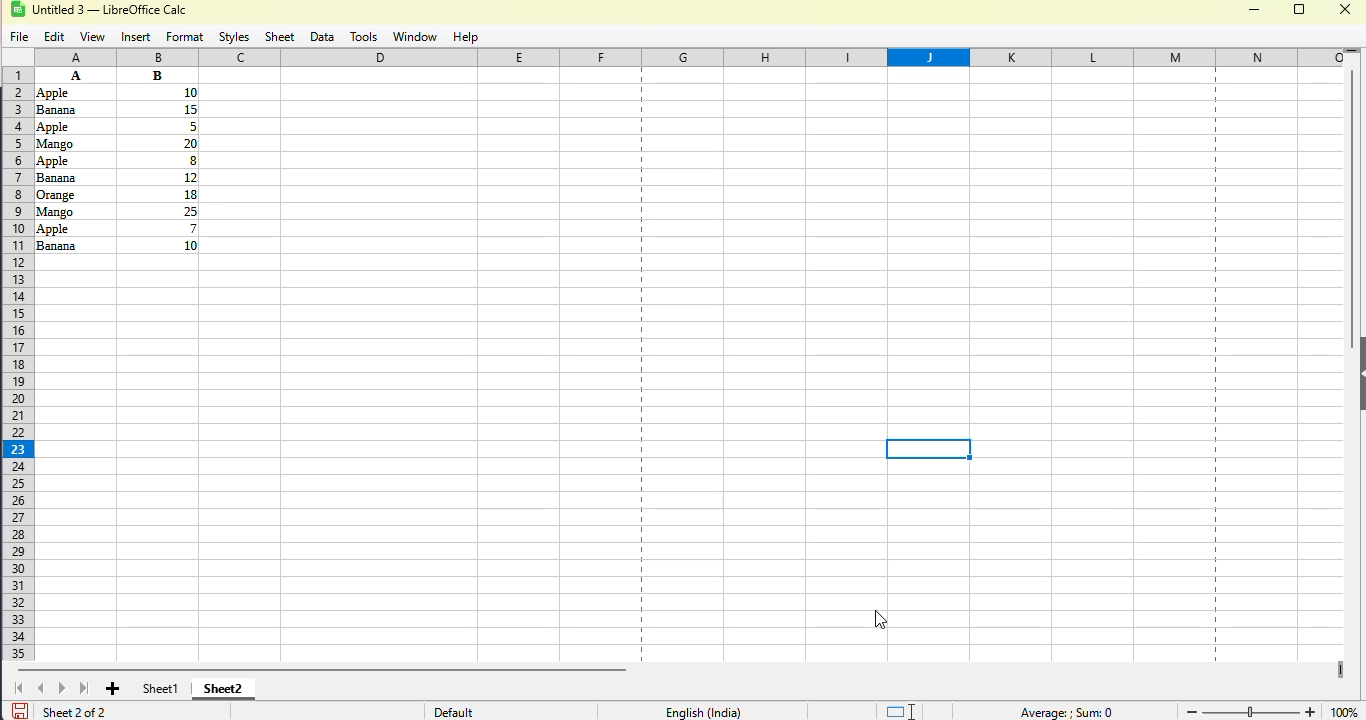 This screenshot has width=1366, height=720. I want to click on , so click(158, 176).